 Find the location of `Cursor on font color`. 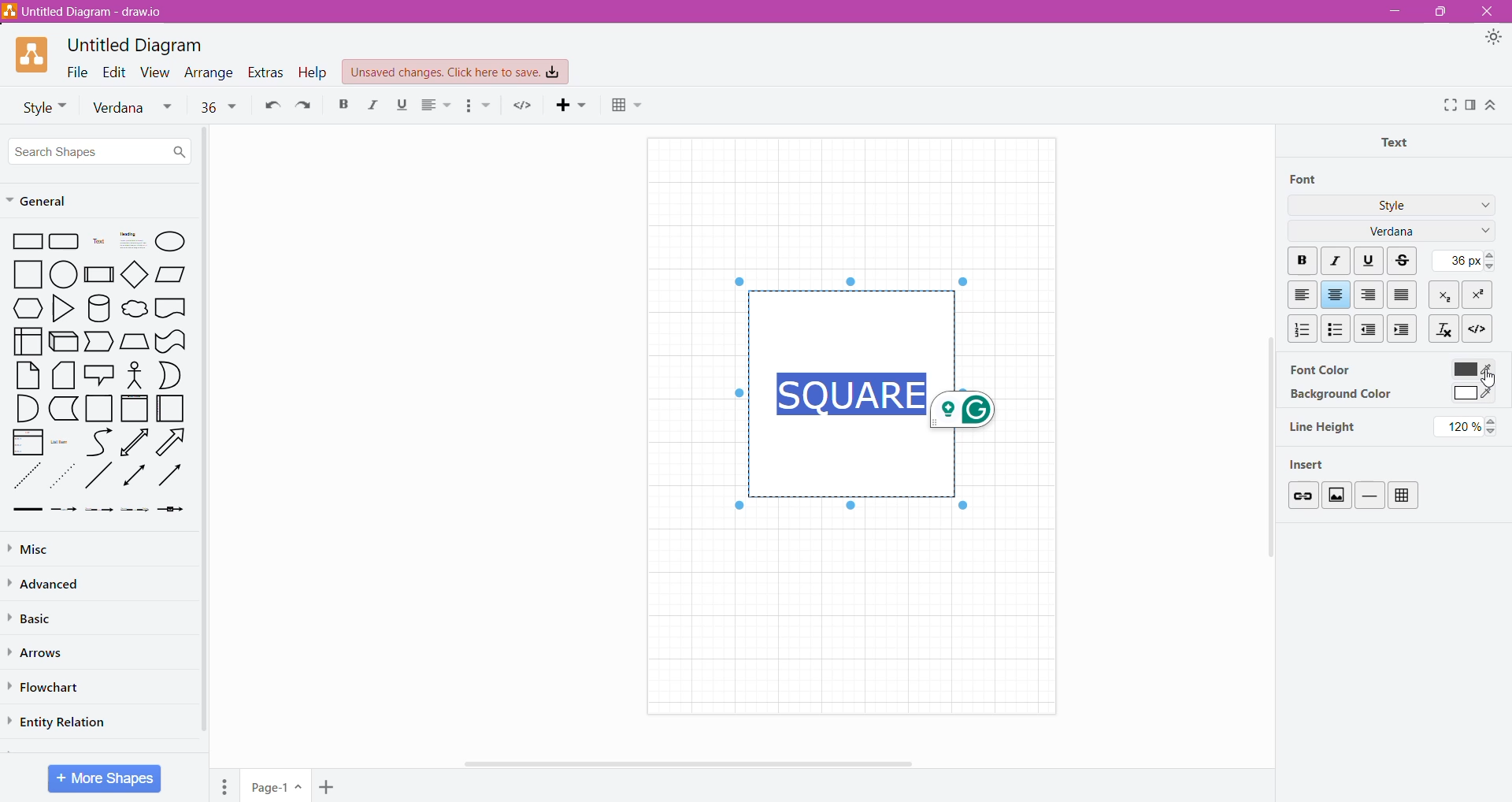

Cursor on font color is located at coordinates (1485, 379).